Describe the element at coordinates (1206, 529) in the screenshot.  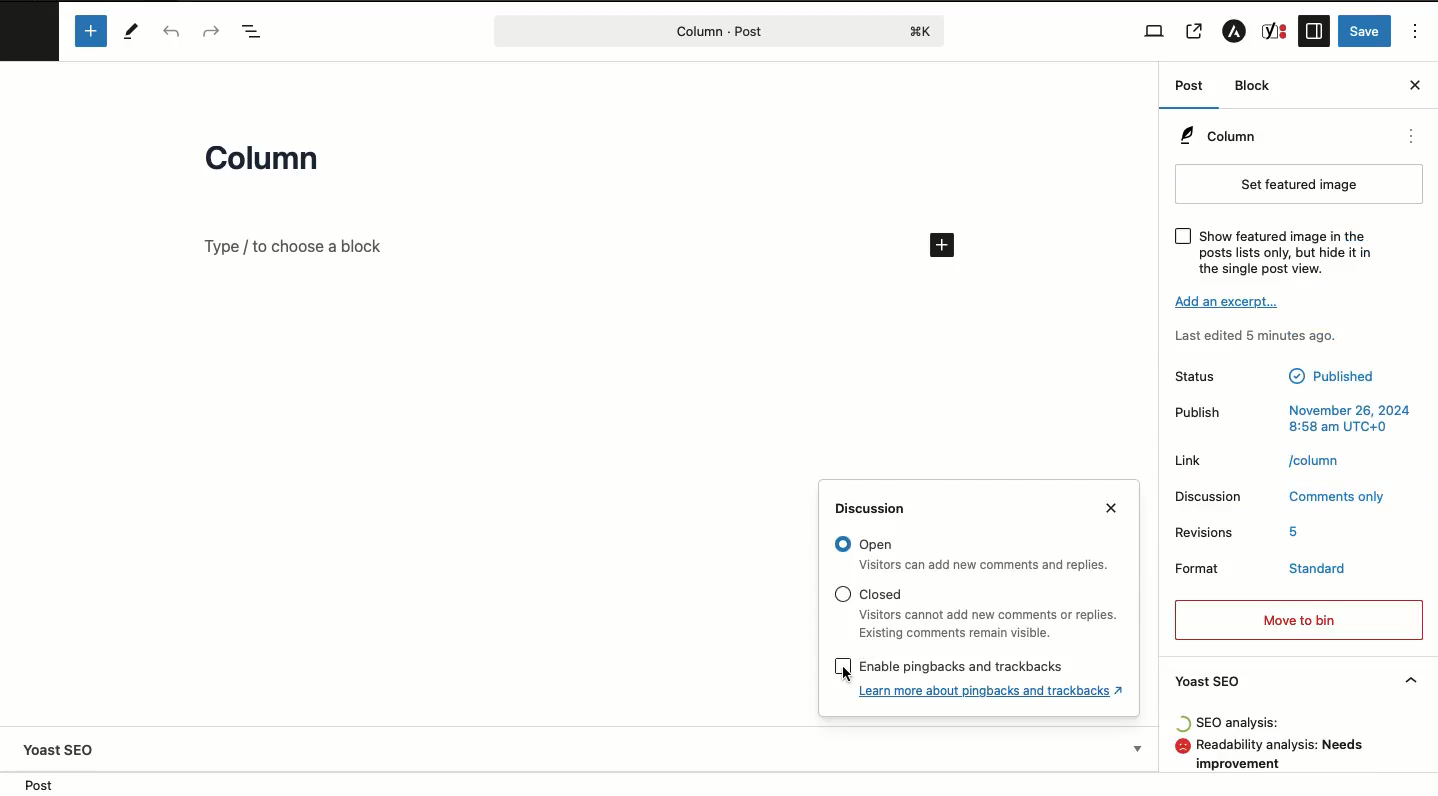
I see `Revisions` at that location.